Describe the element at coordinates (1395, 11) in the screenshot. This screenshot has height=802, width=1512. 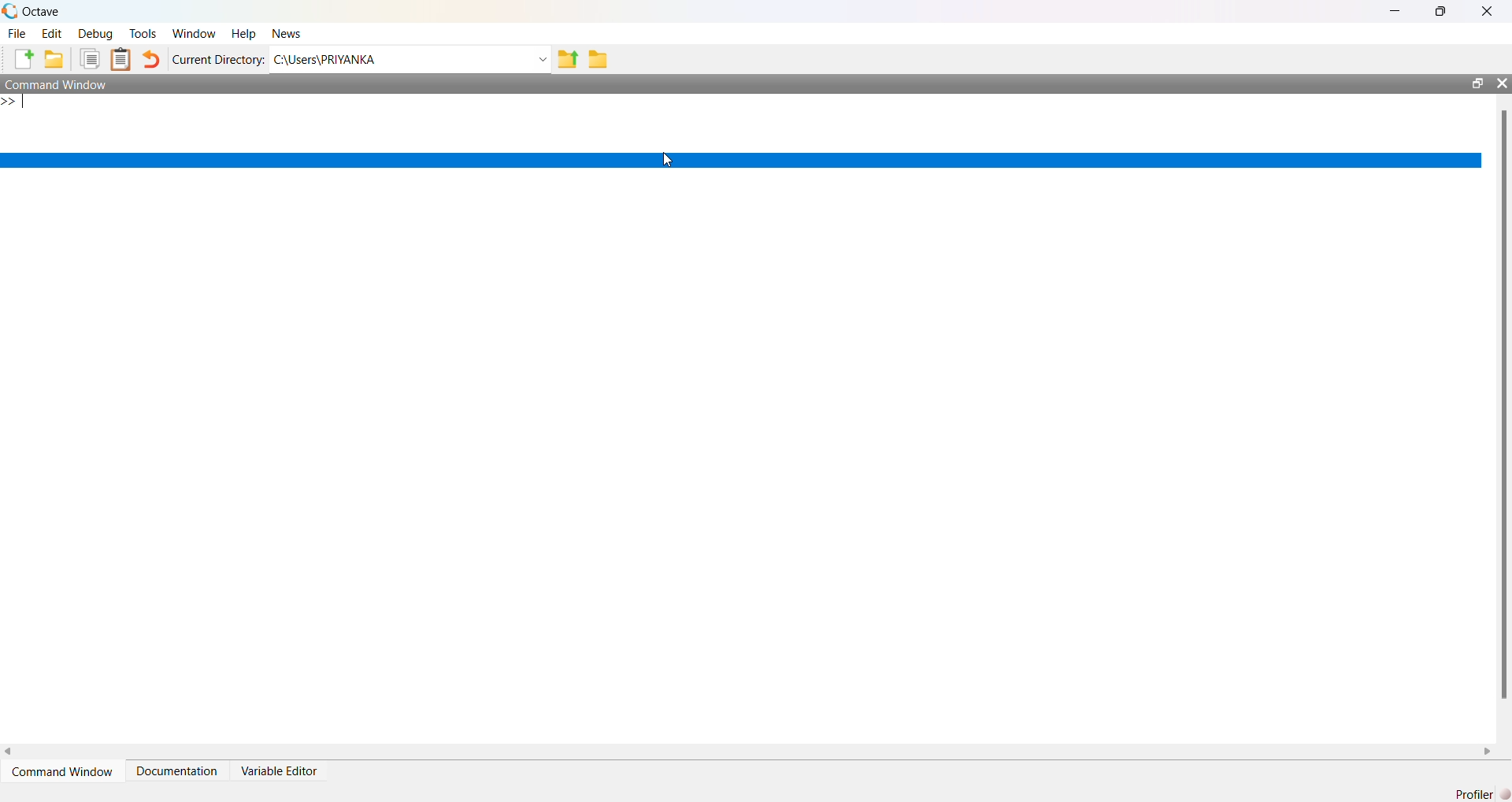
I see `minimize` at that location.